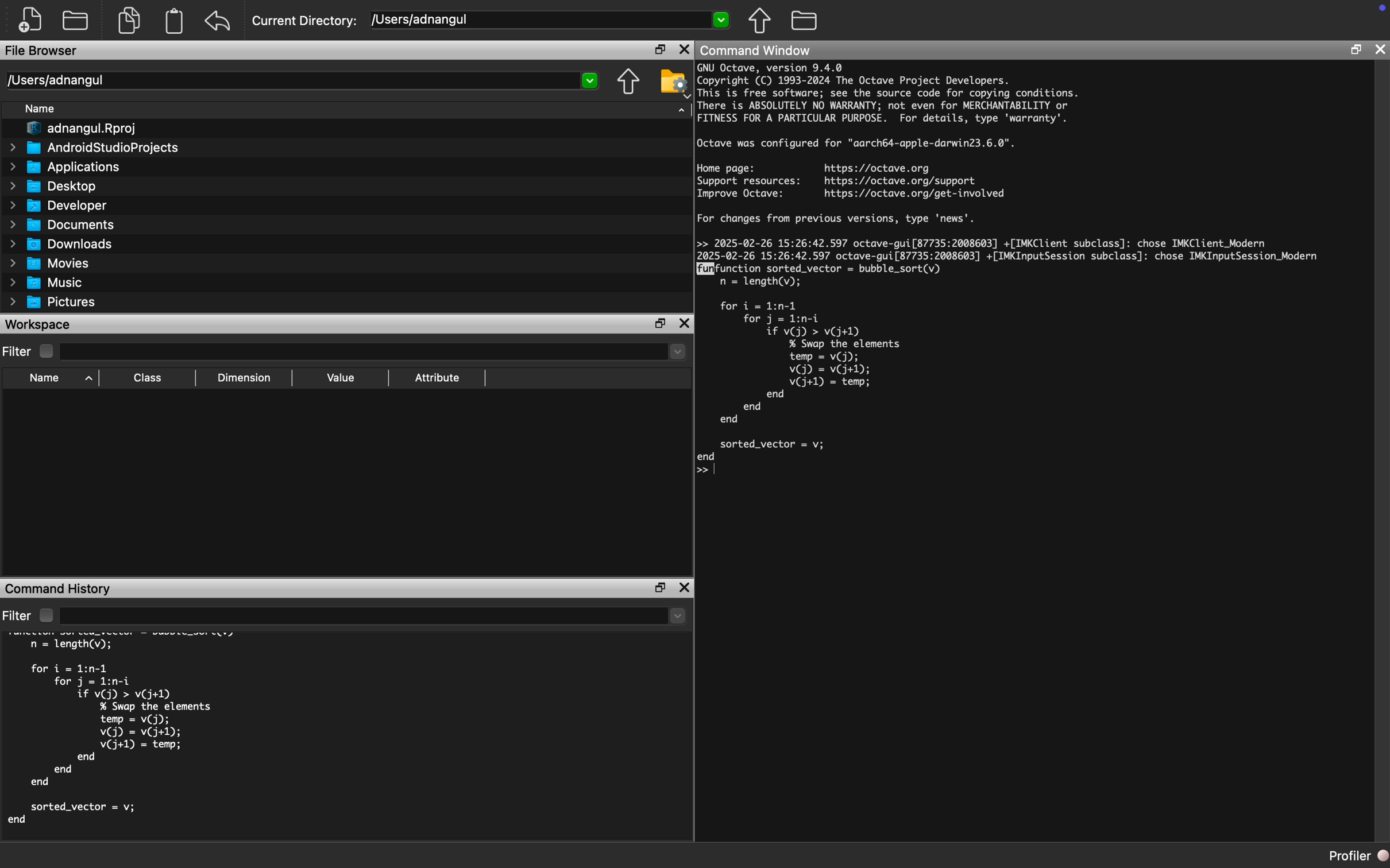 The image size is (1390, 868). I want to click on Movies, so click(50, 263).